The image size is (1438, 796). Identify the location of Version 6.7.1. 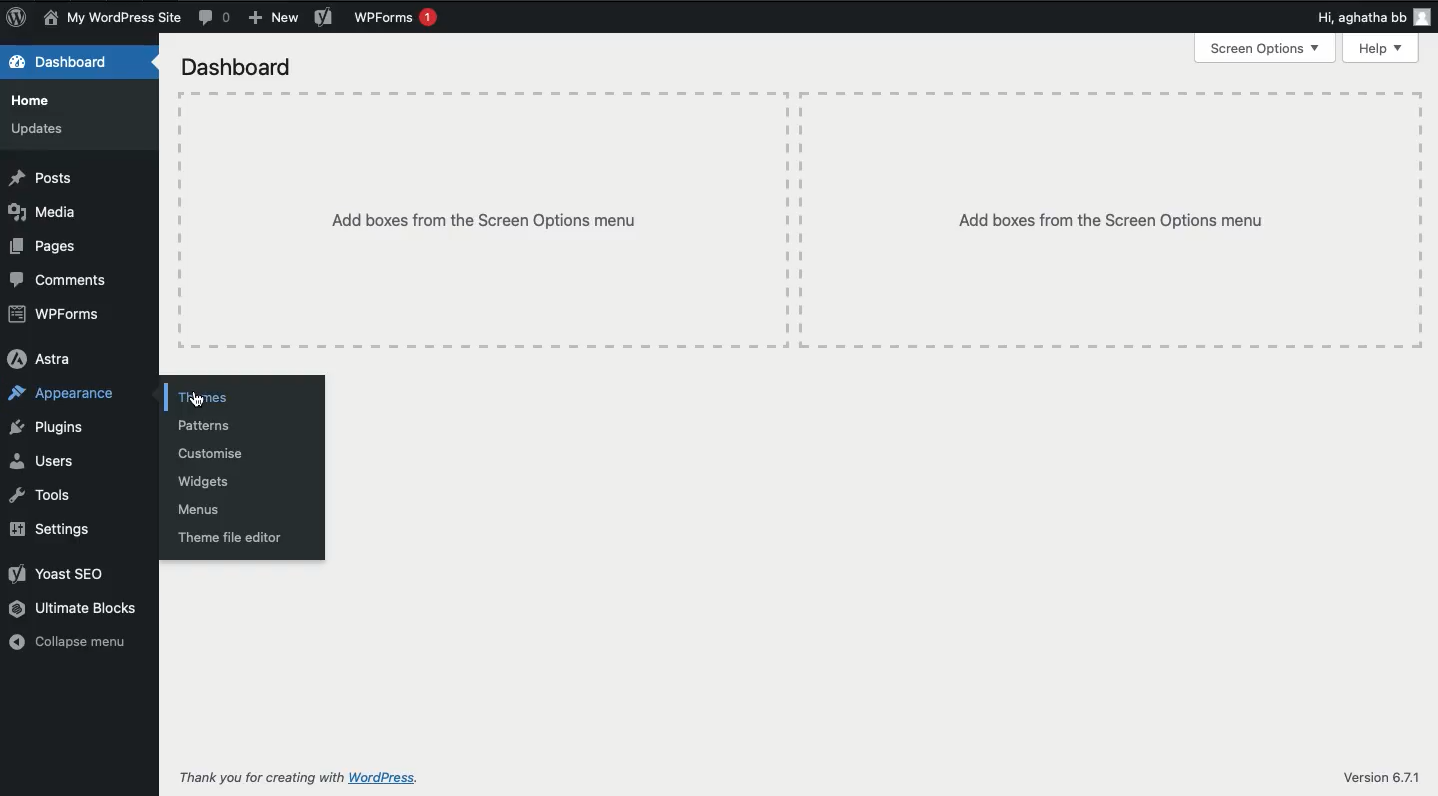
(1384, 777).